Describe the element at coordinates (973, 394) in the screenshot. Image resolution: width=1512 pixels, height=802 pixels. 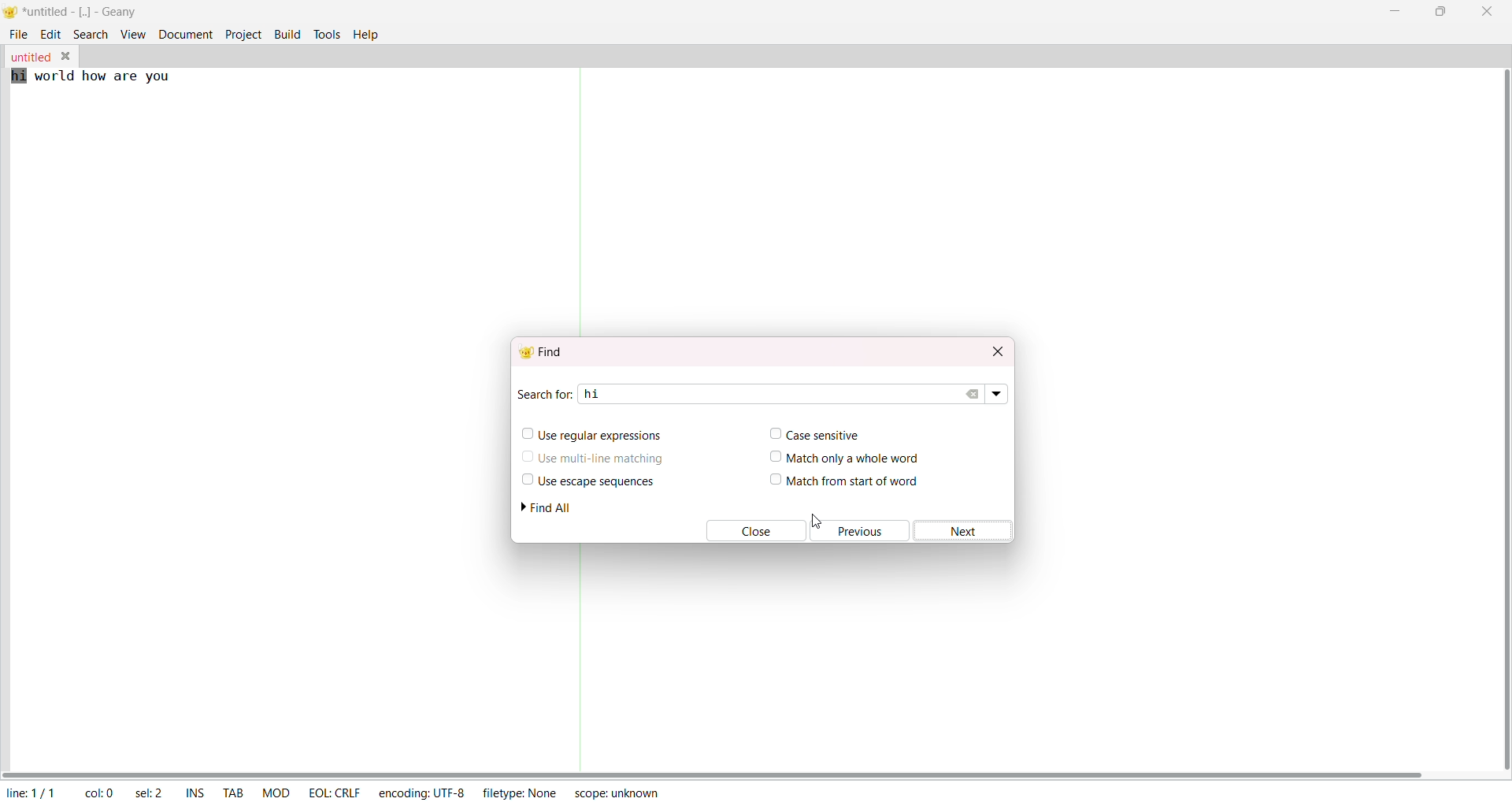
I see `clear search` at that location.